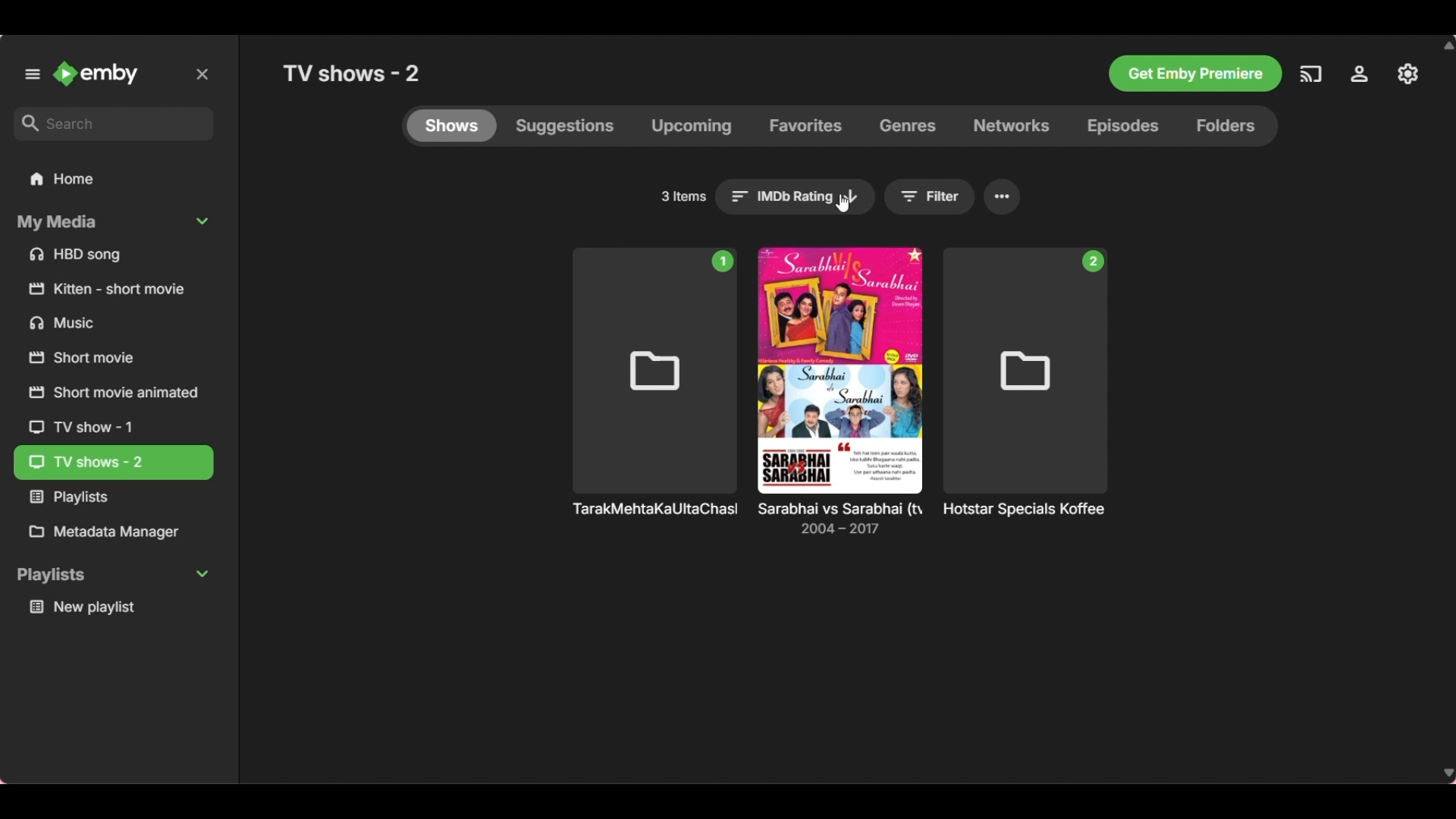  What do you see at coordinates (112, 532) in the screenshot?
I see `Metadata Manager` at bounding box center [112, 532].